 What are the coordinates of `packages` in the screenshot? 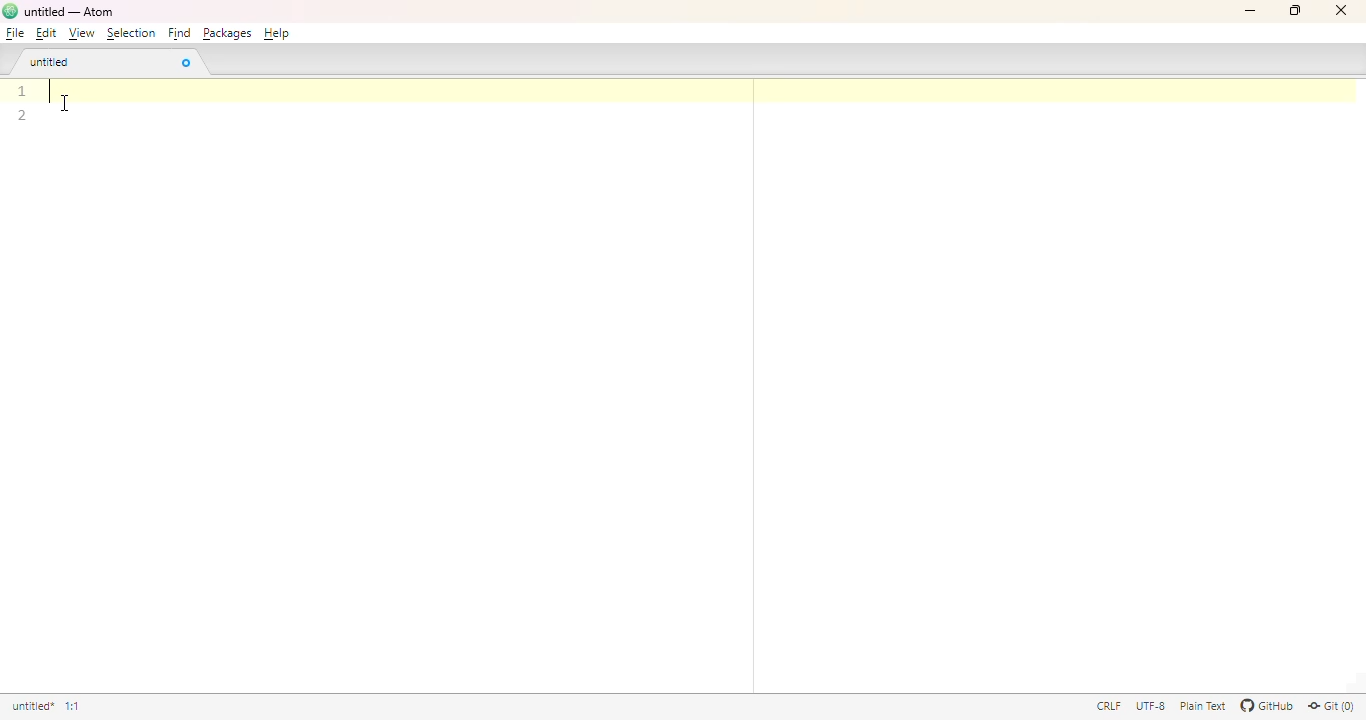 It's located at (227, 34).